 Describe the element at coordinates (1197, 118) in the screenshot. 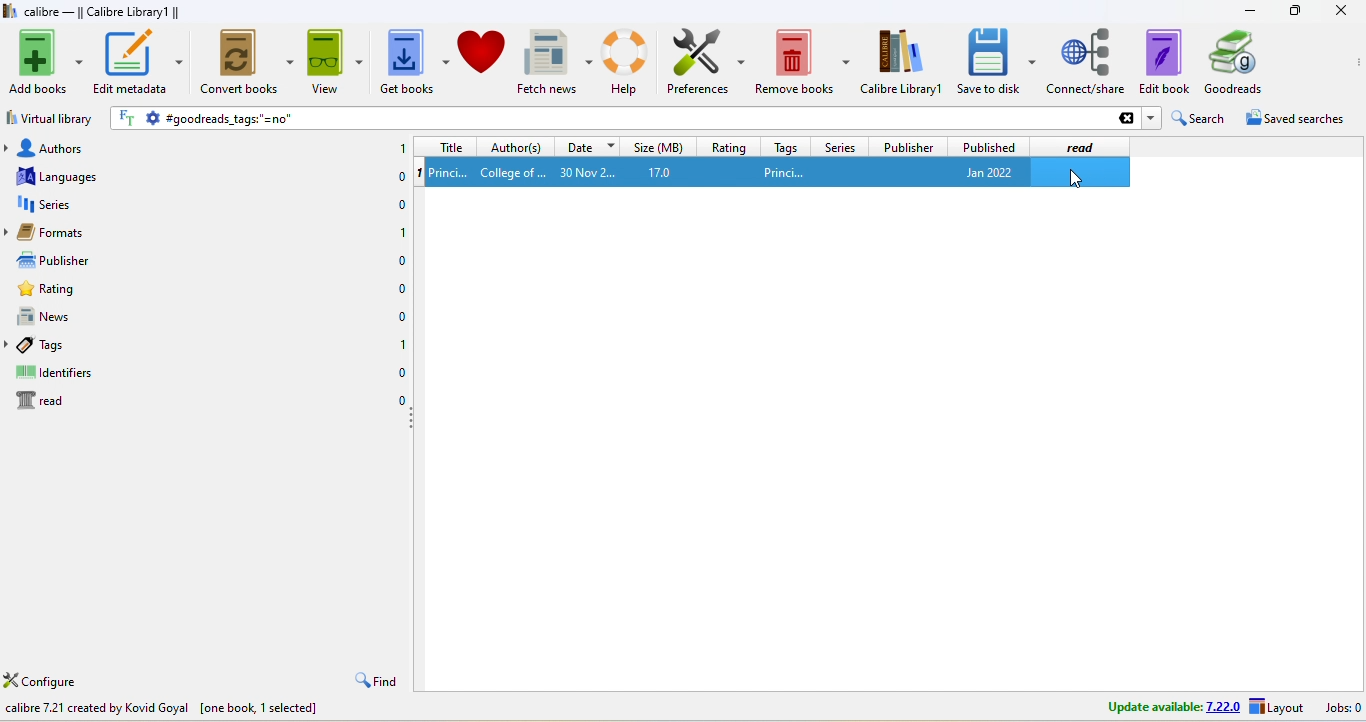

I see `search` at that location.